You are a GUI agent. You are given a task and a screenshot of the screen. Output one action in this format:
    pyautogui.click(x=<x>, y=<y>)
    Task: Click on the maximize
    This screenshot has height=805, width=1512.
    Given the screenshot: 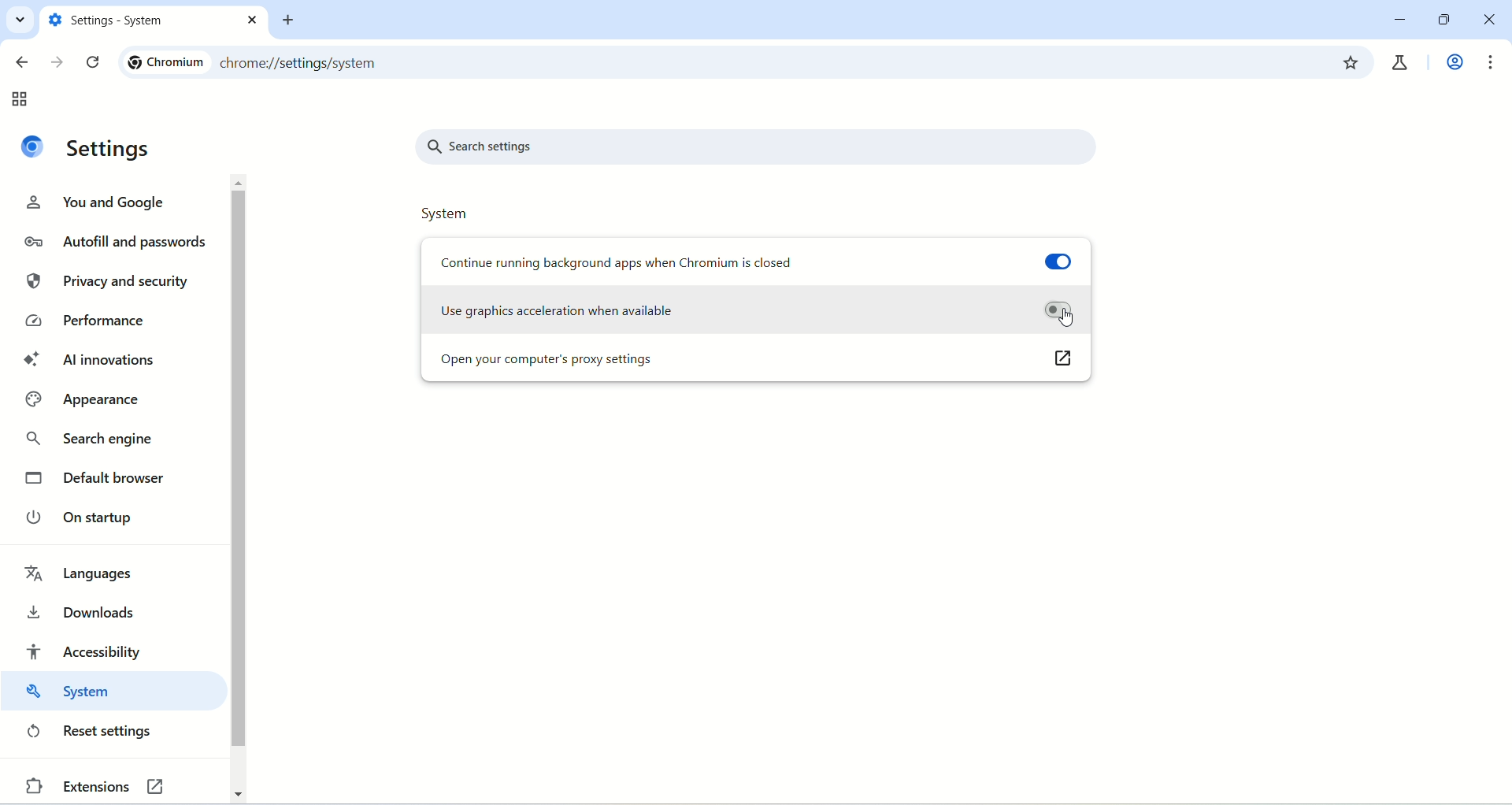 What is the action you would take?
    pyautogui.click(x=1440, y=20)
    